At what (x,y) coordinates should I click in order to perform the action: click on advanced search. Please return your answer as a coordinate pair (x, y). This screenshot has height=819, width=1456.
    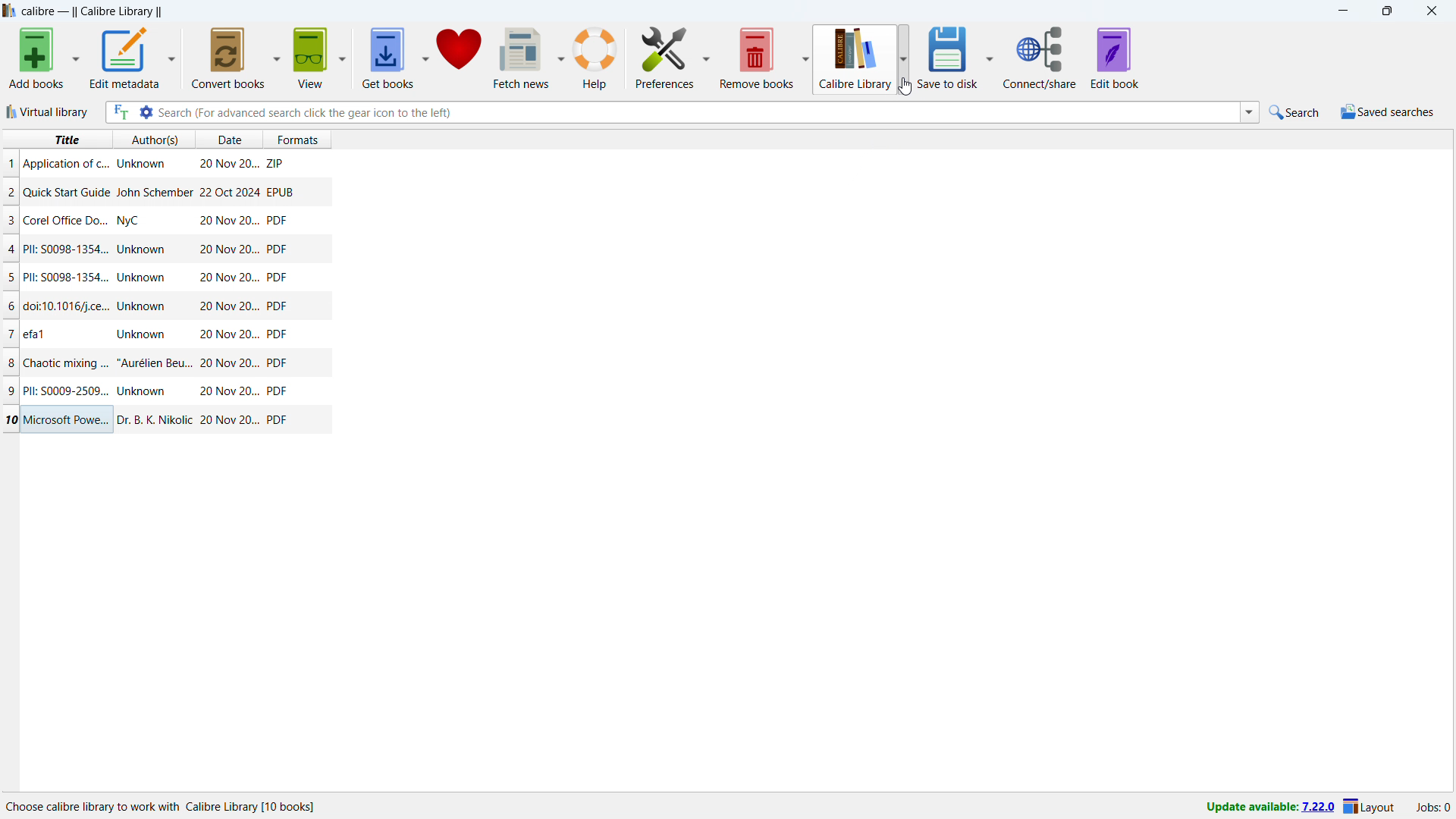
    Looking at the image, I should click on (145, 112).